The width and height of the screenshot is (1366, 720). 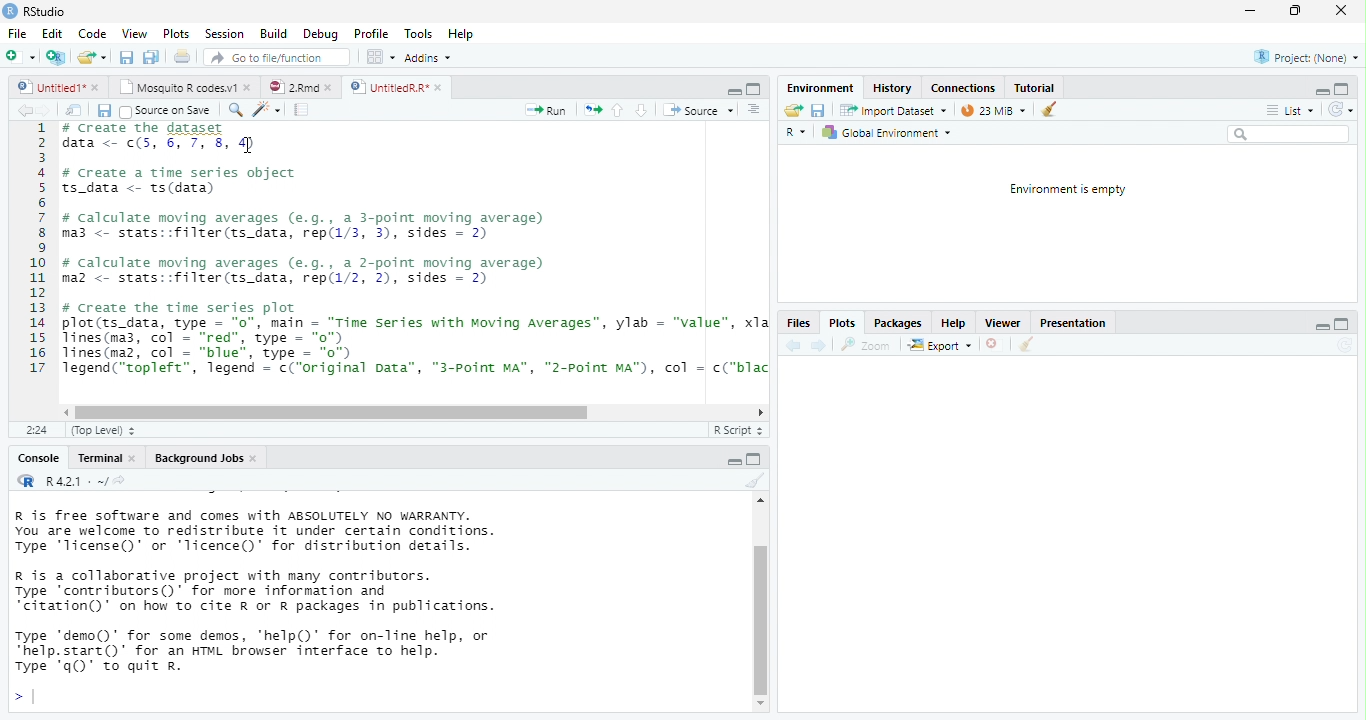 What do you see at coordinates (291, 87) in the screenshot?
I see `2Rmd` at bounding box center [291, 87].